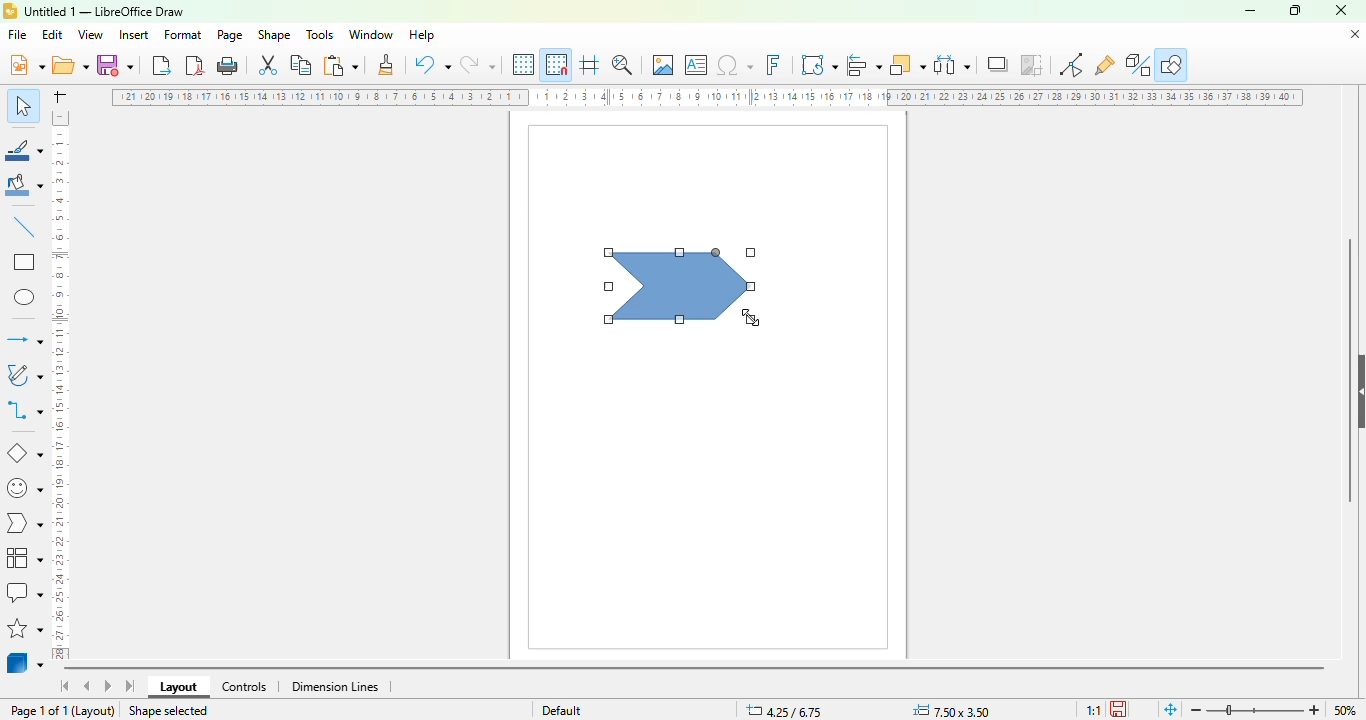 The image size is (1366, 720). What do you see at coordinates (25, 226) in the screenshot?
I see `insert line` at bounding box center [25, 226].